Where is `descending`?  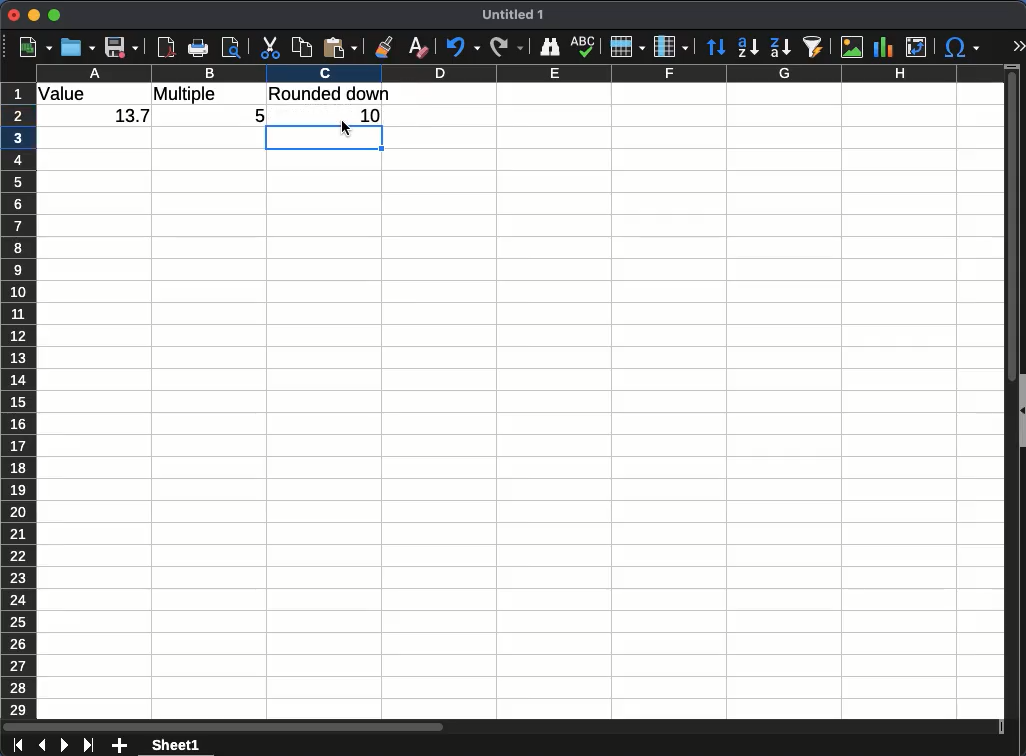 descending is located at coordinates (780, 48).